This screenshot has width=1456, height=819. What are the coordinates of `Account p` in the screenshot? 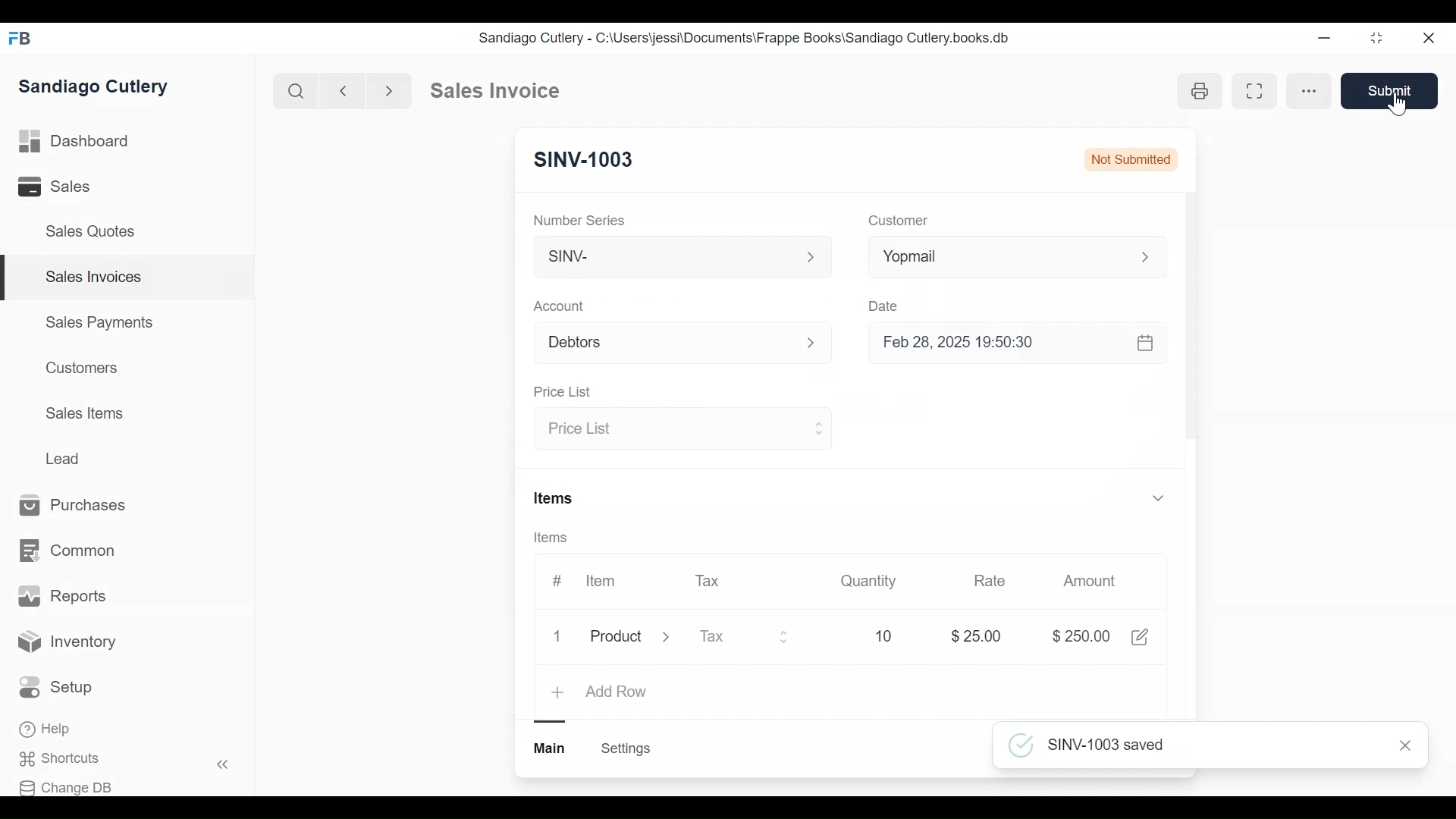 It's located at (684, 344).